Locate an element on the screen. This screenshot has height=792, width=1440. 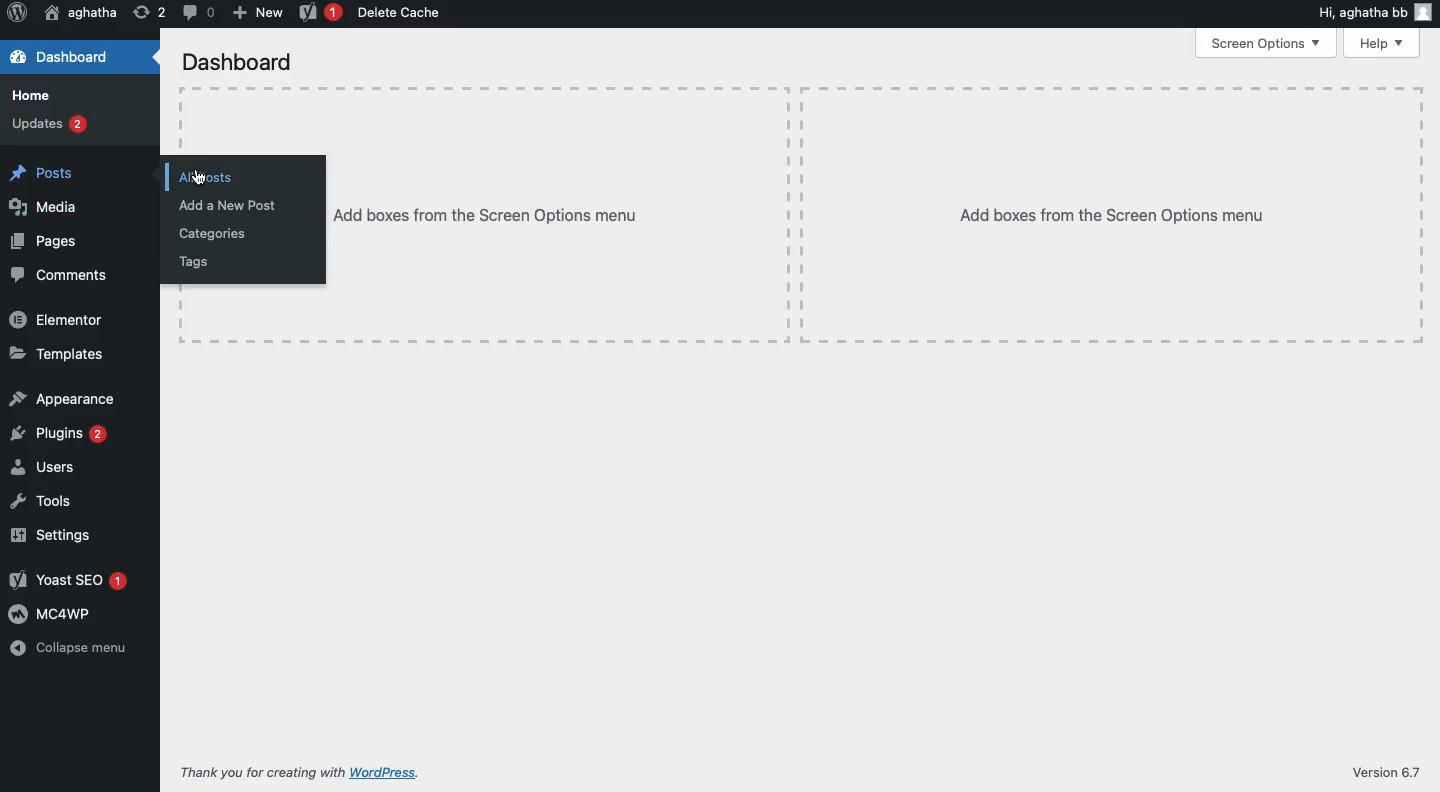
+ New is located at coordinates (257, 12).